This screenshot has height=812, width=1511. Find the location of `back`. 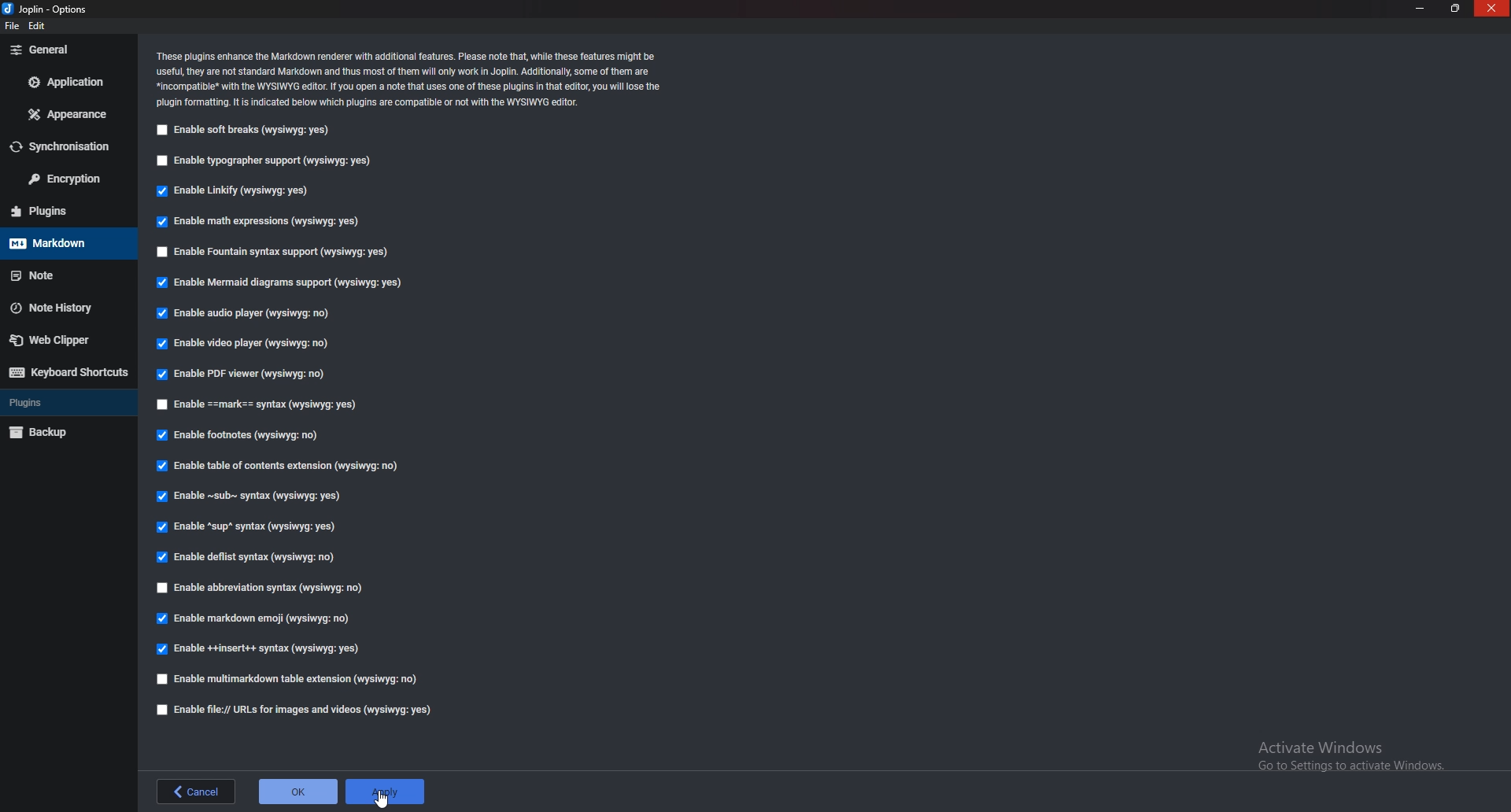

back is located at coordinates (198, 790).